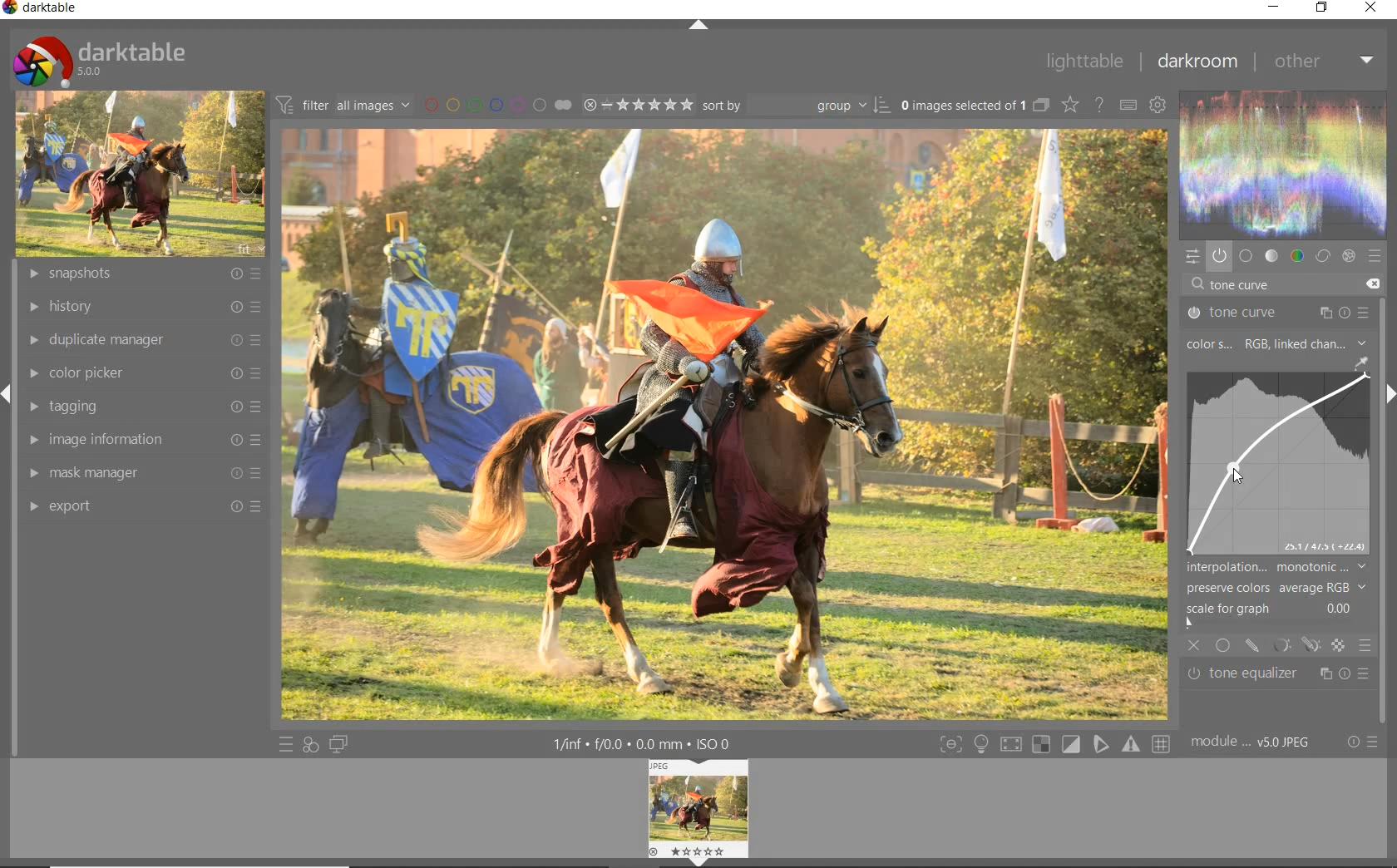  What do you see at coordinates (339, 743) in the screenshot?
I see `display a second darkroom image widow` at bounding box center [339, 743].